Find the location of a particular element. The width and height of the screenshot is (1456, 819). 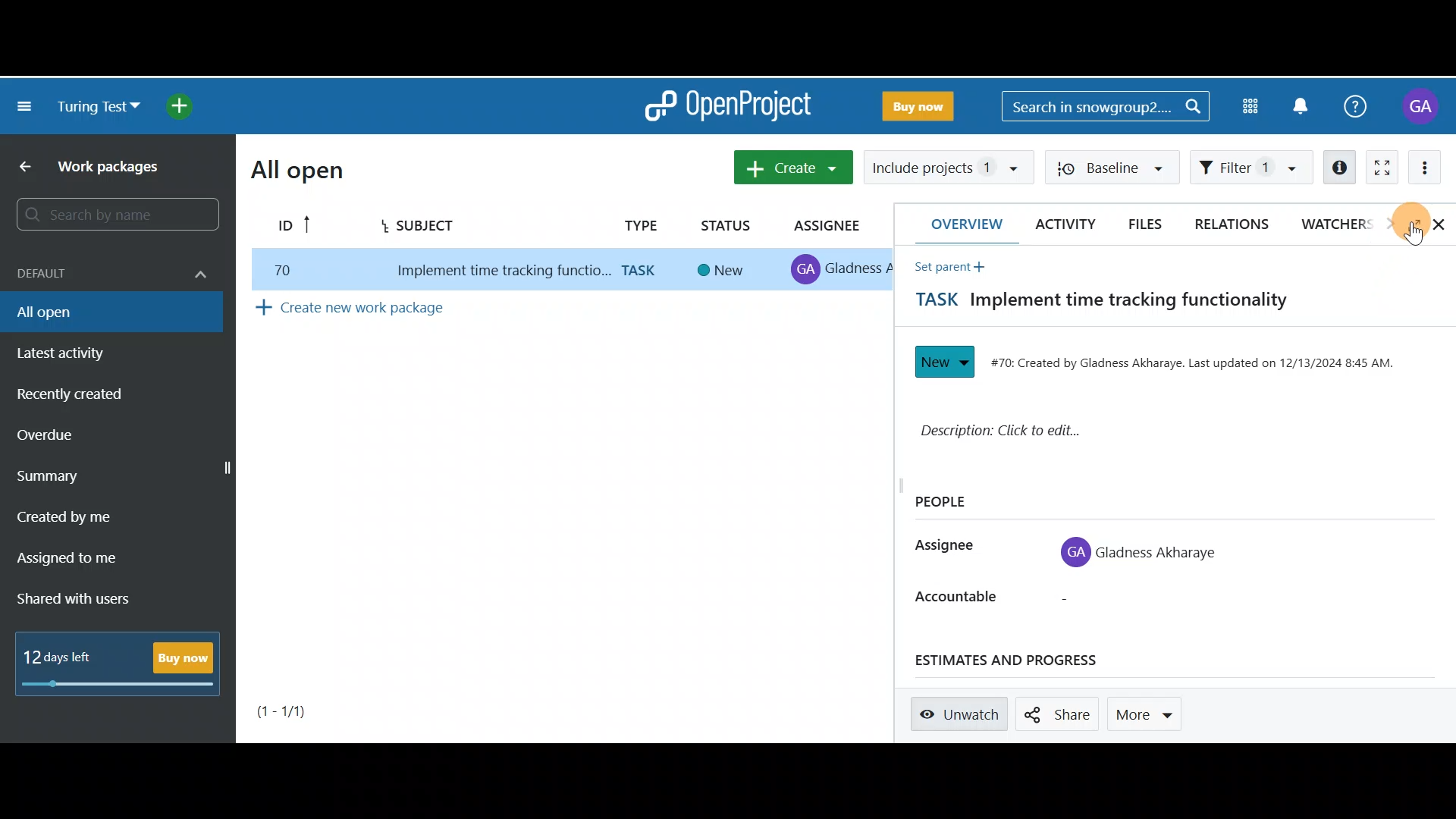

Created by me is located at coordinates (100, 522).